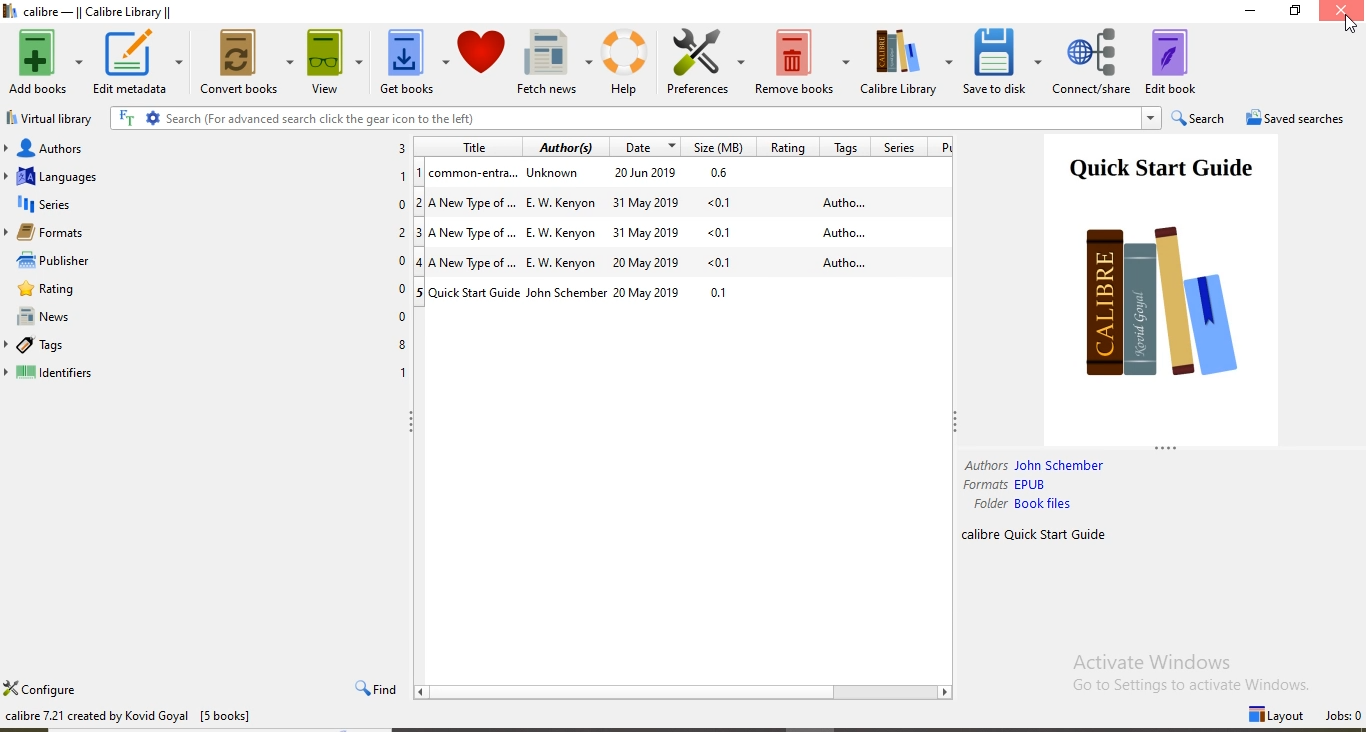 This screenshot has width=1366, height=732. What do you see at coordinates (465, 147) in the screenshot?
I see `Title` at bounding box center [465, 147].